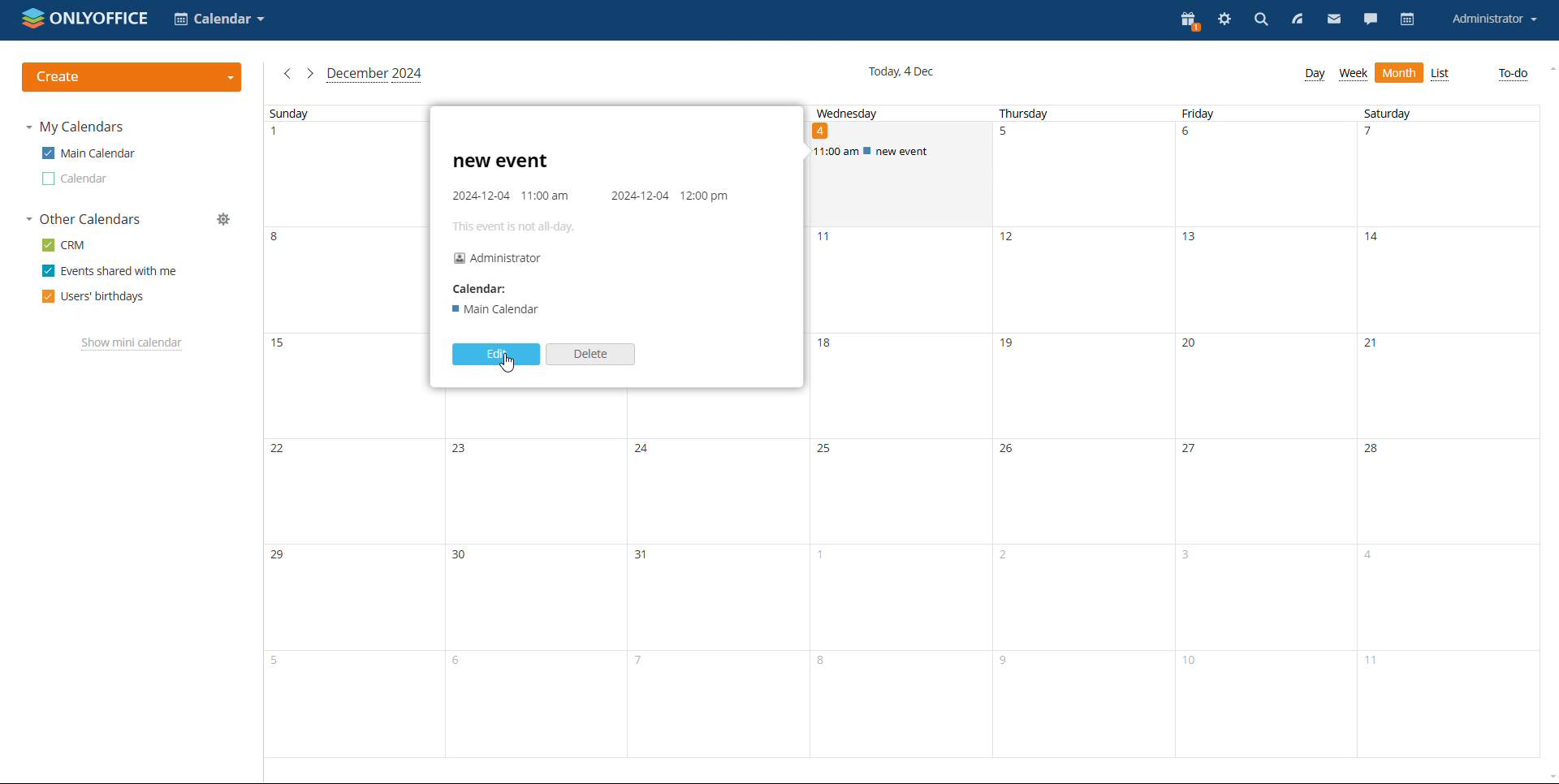  What do you see at coordinates (92, 296) in the screenshot?
I see `users' birthdays` at bounding box center [92, 296].